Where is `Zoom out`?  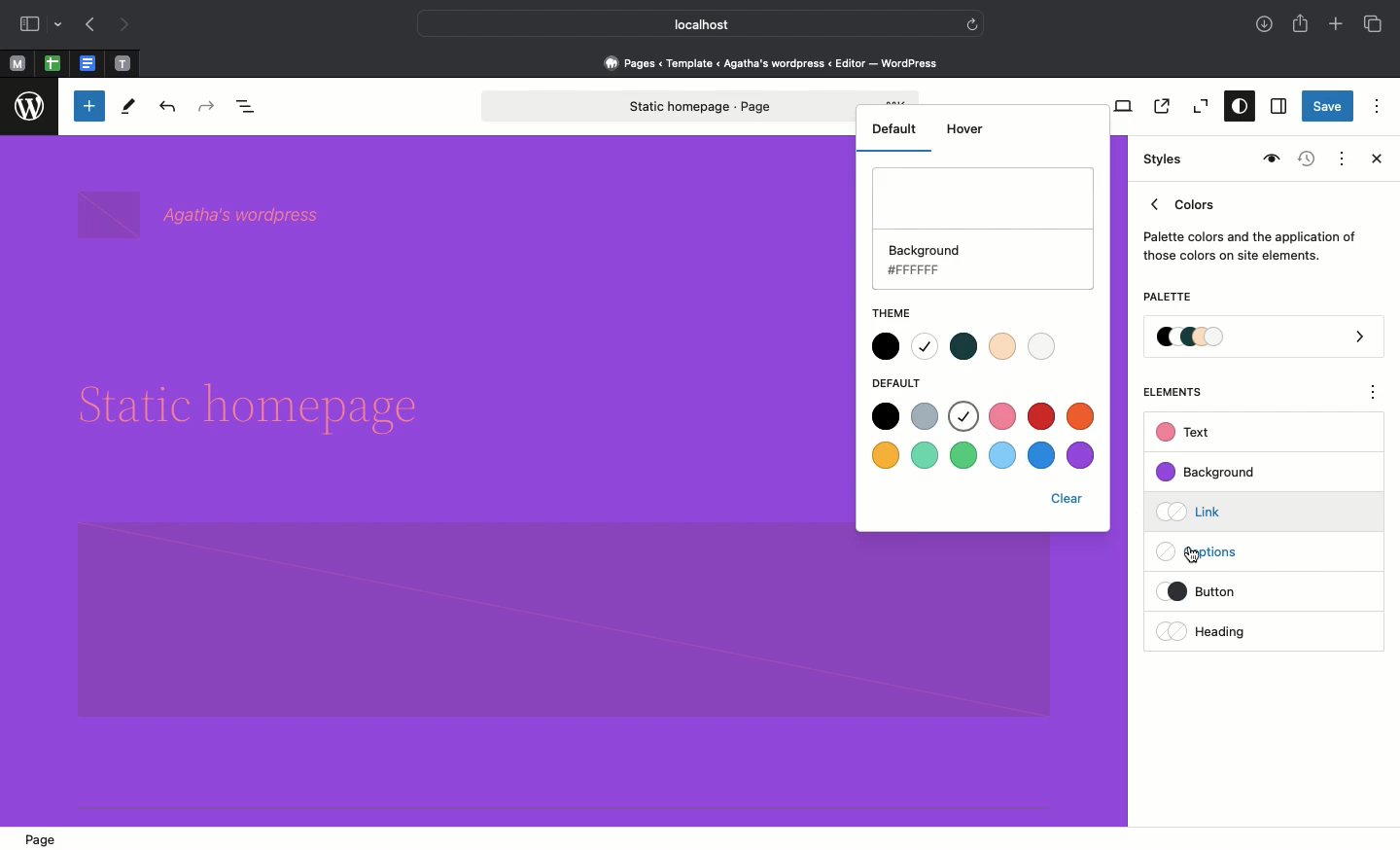 Zoom out is located at coordinates (1198, 107).